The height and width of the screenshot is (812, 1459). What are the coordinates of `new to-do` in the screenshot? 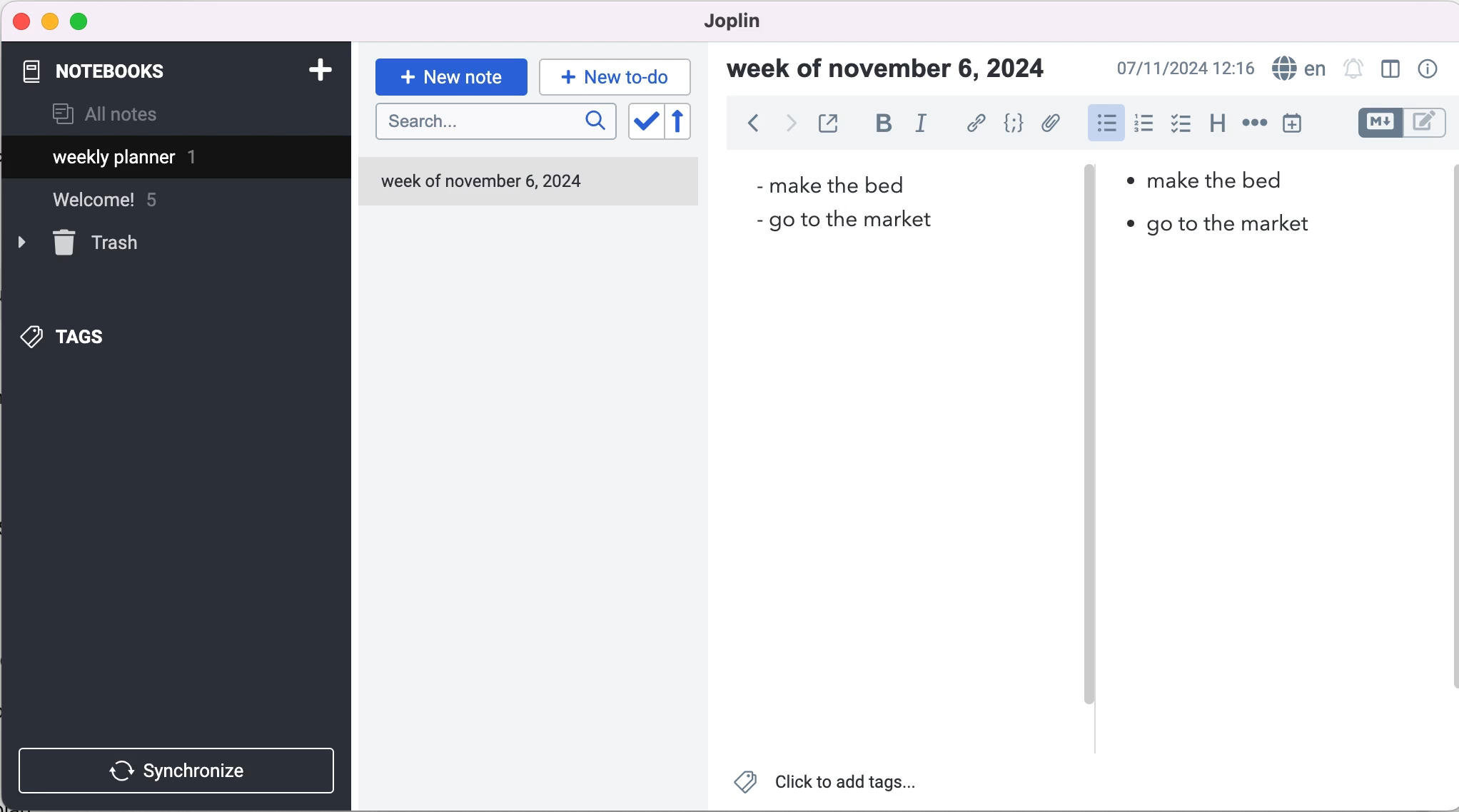 It's located at (612, 76).